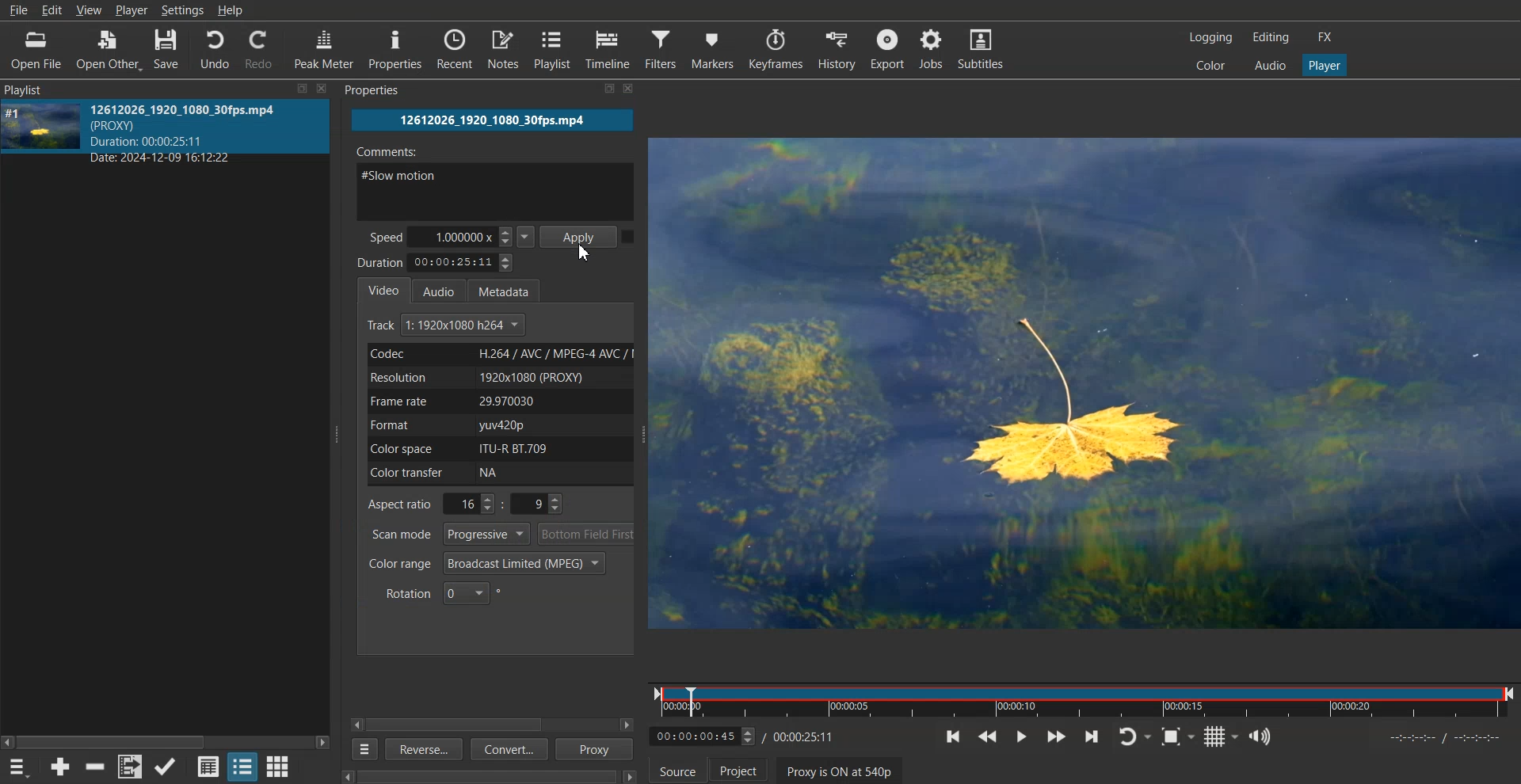  I want to click on End Time, so click(806, 736).